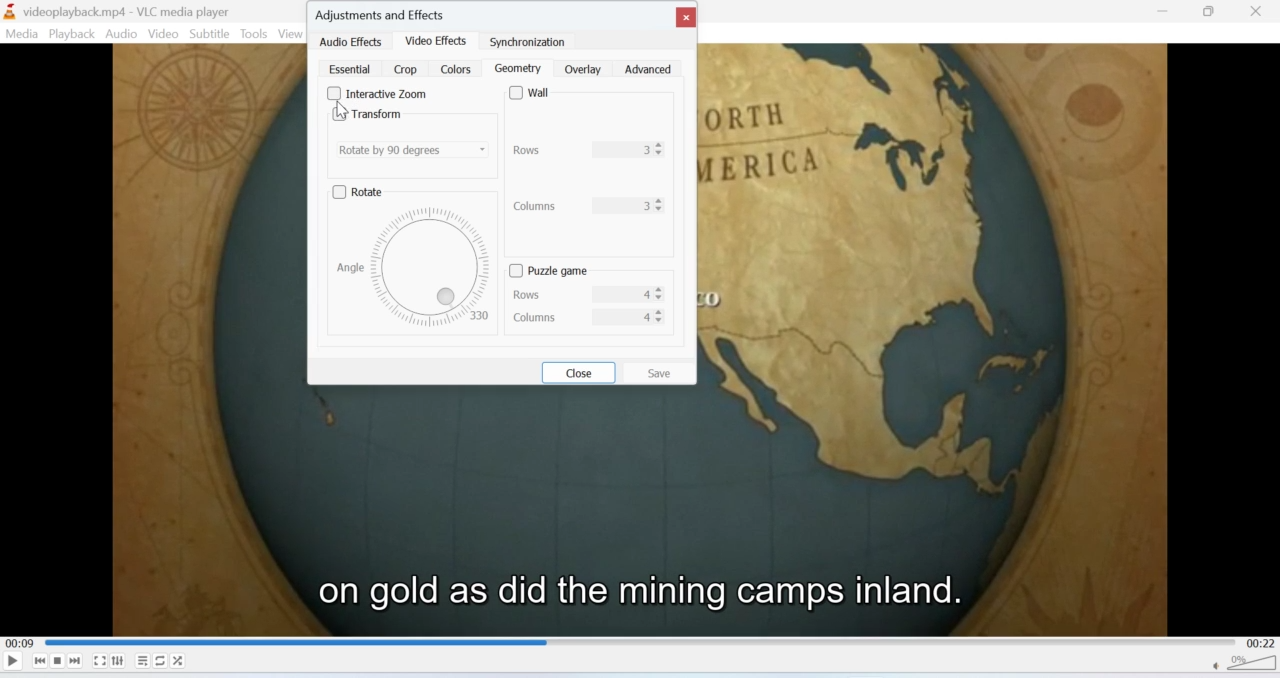 This screenshot has height=678, width=1280. What do you see at coordinates (122, 34) in the screenshot?
I see `Audio` at bounding box center [122, 34].